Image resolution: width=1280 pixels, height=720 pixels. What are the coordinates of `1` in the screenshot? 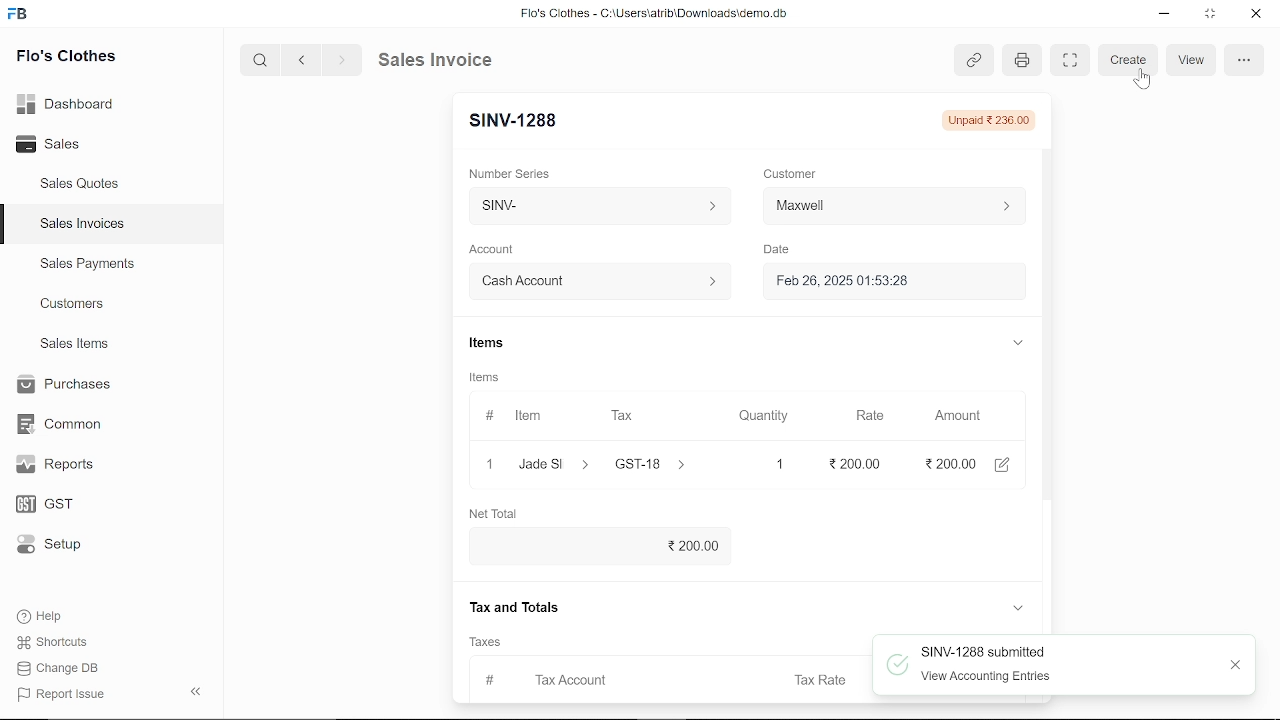 It's located at (762, 464).